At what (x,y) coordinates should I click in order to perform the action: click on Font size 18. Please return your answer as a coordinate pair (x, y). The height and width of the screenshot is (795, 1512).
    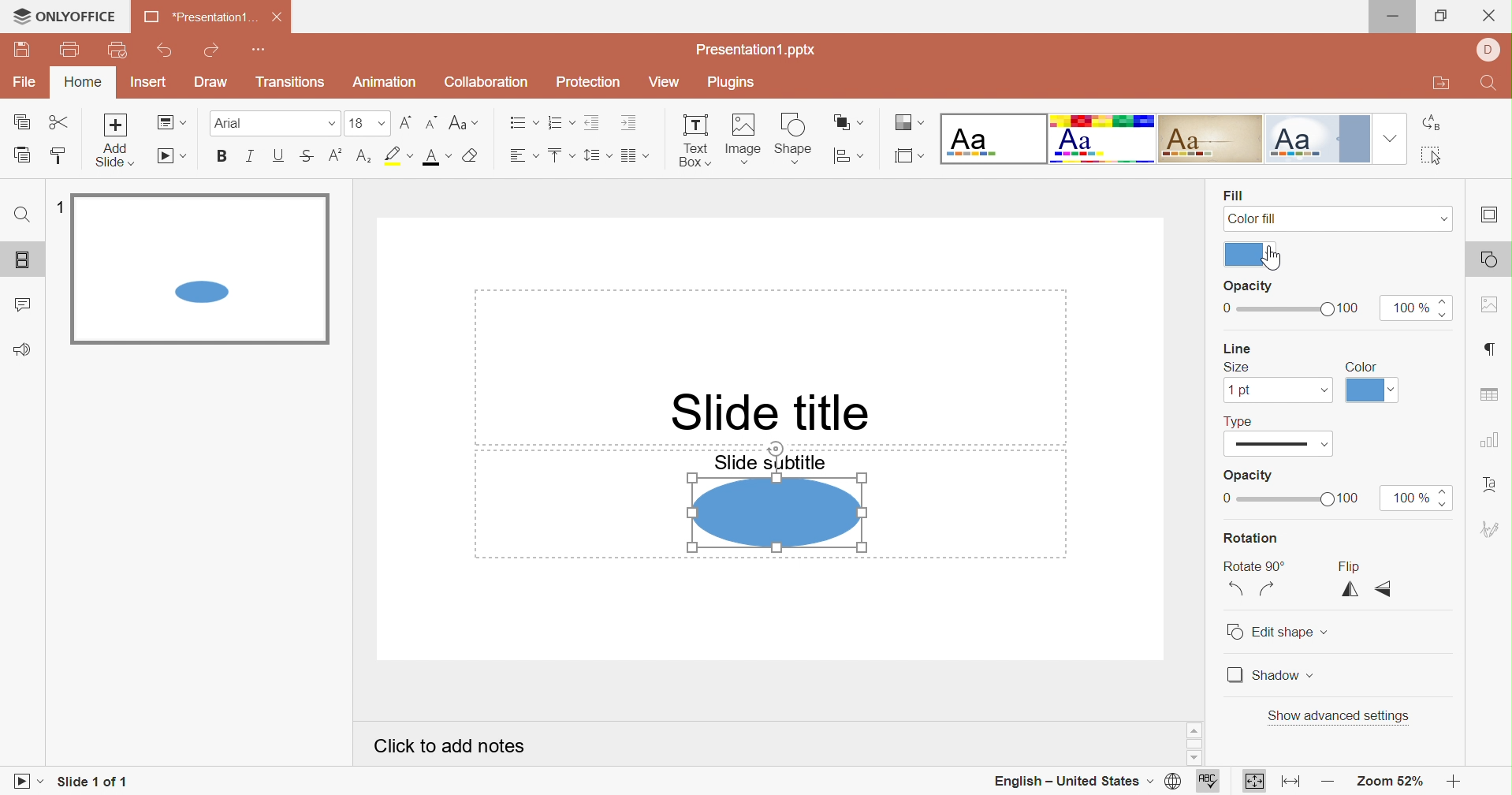
    Looking at the image, I should click on (367, 122).